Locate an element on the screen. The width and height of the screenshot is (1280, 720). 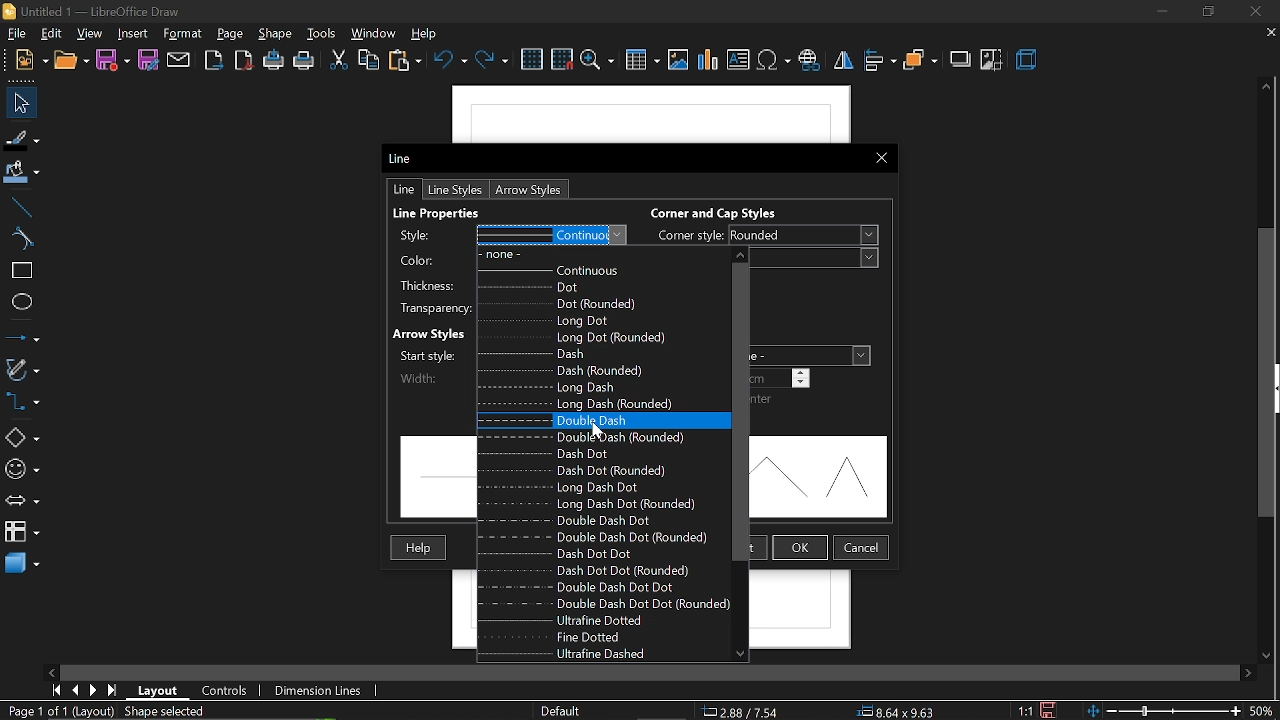
scaling factor (1:1) is located at coordinates (1027, 711).